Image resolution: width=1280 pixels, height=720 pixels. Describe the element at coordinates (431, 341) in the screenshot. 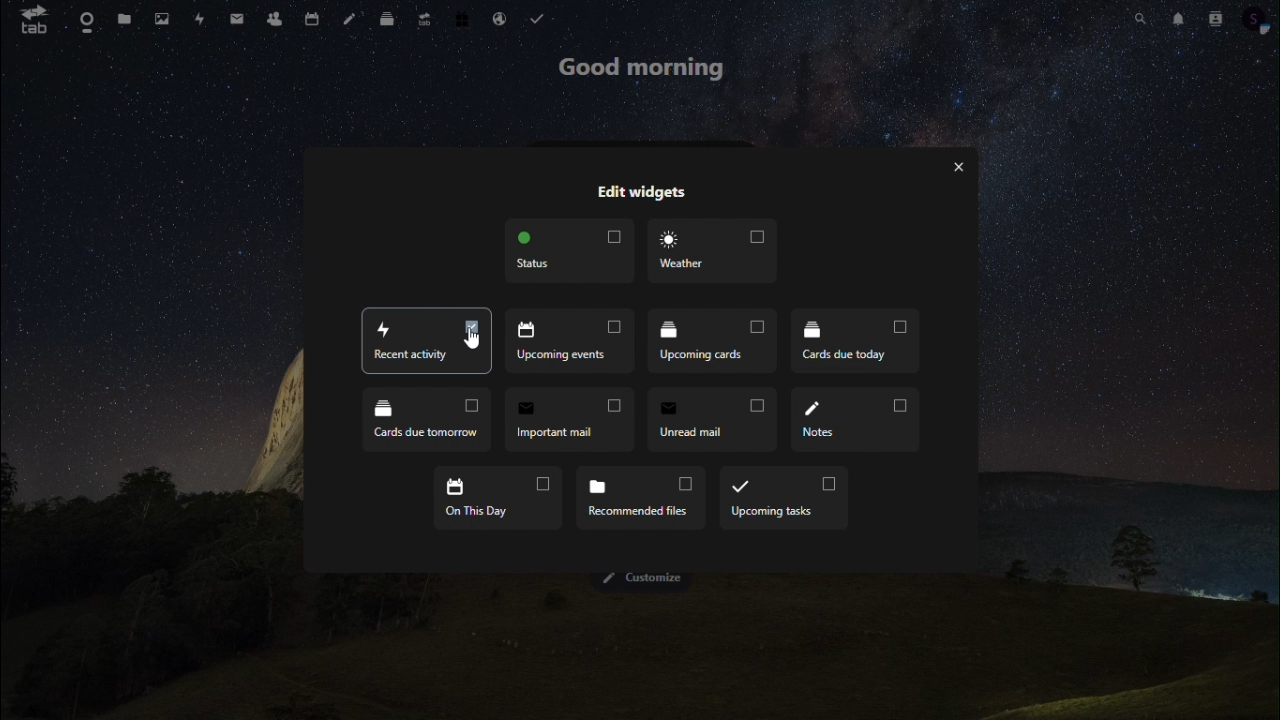

I see `recent acticity` at that location.